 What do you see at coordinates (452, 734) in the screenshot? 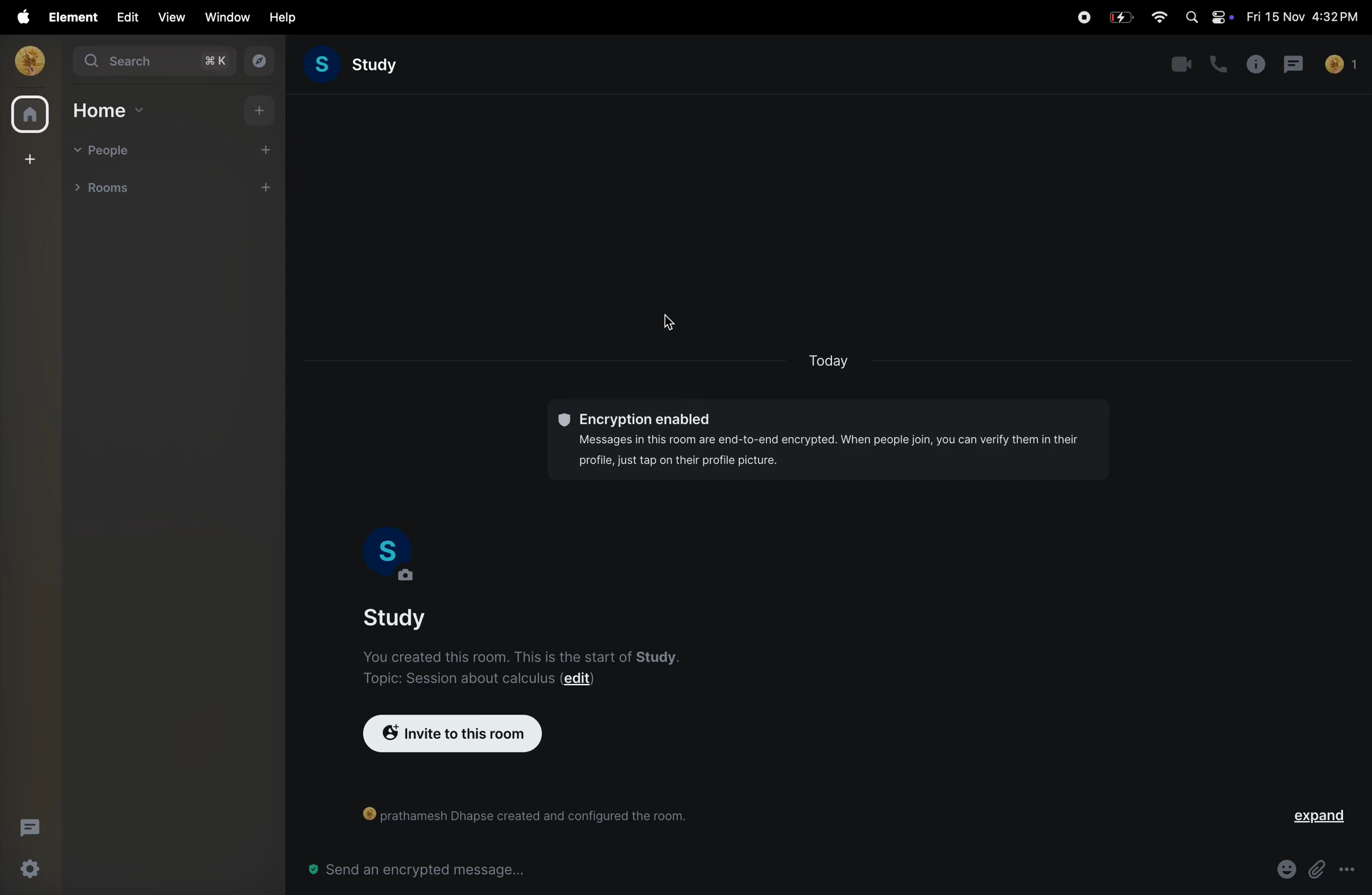
I see `invite to room` at bounding box center [452, 734].